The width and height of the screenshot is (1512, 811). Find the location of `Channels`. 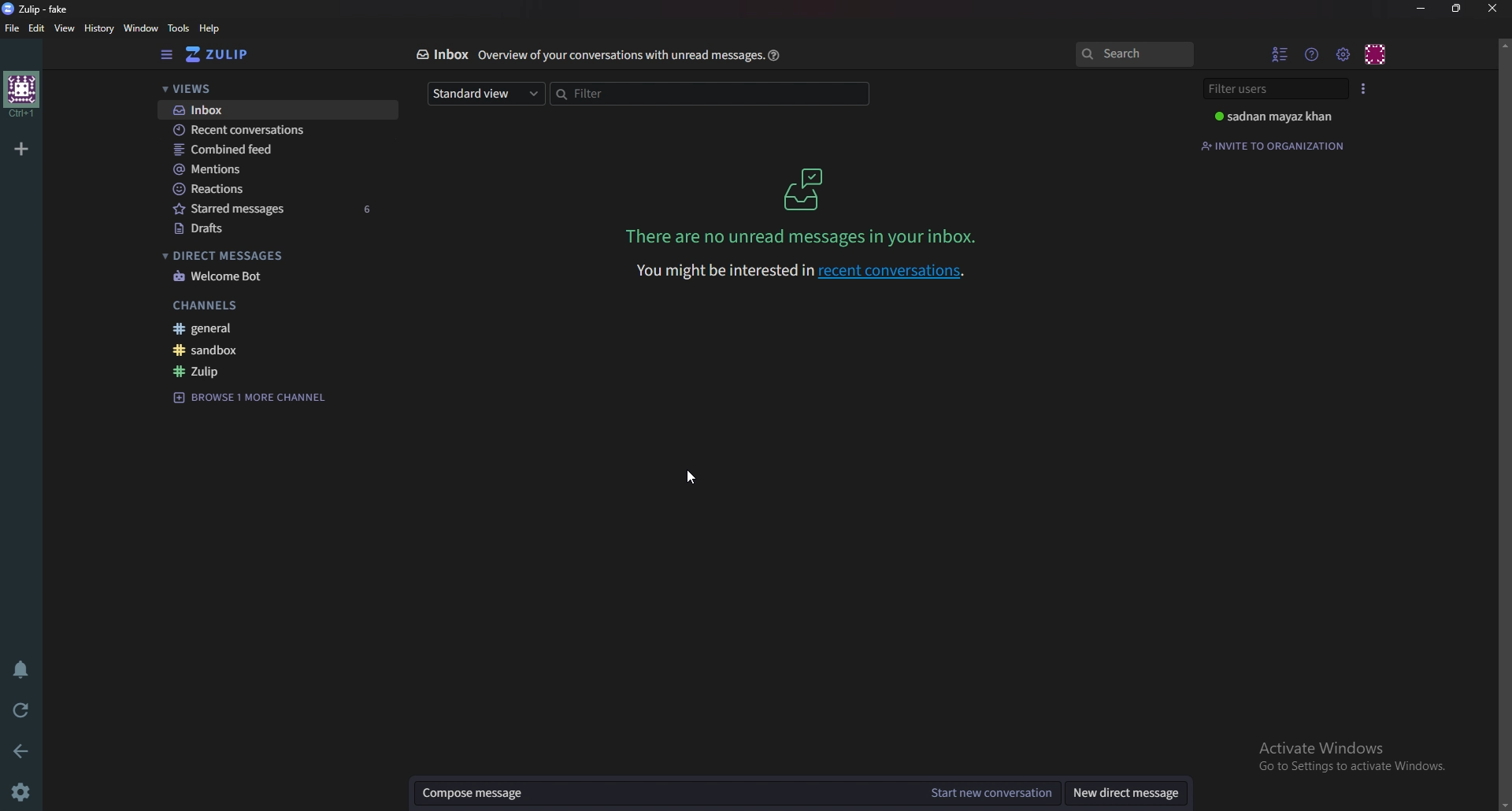

Channels is located at coordinates (254, 305).